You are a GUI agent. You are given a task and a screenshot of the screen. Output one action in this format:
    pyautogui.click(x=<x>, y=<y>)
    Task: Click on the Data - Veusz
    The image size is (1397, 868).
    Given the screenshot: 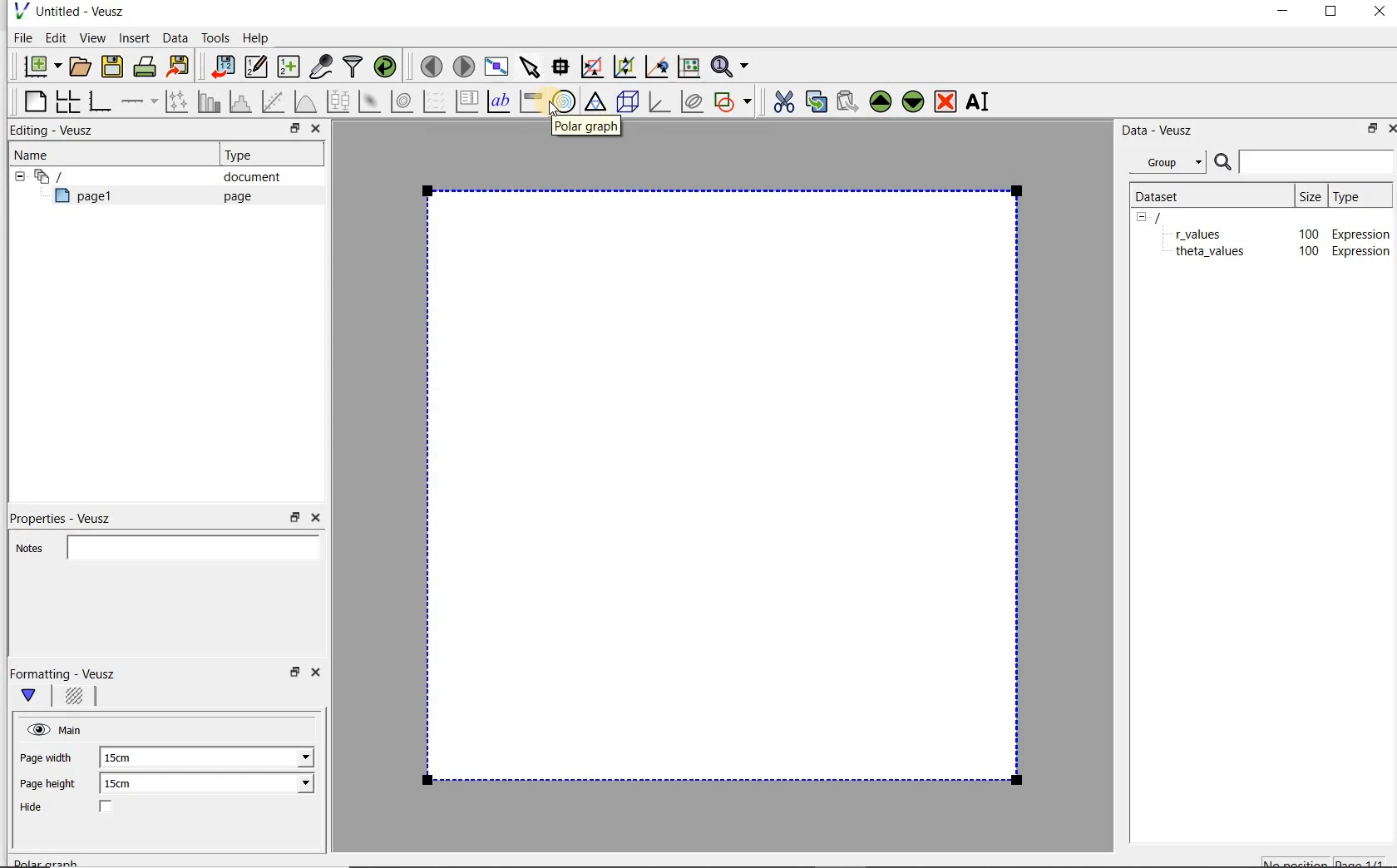 What is the action you would take?
    pyautogui.click(x=1163, y=130)
    